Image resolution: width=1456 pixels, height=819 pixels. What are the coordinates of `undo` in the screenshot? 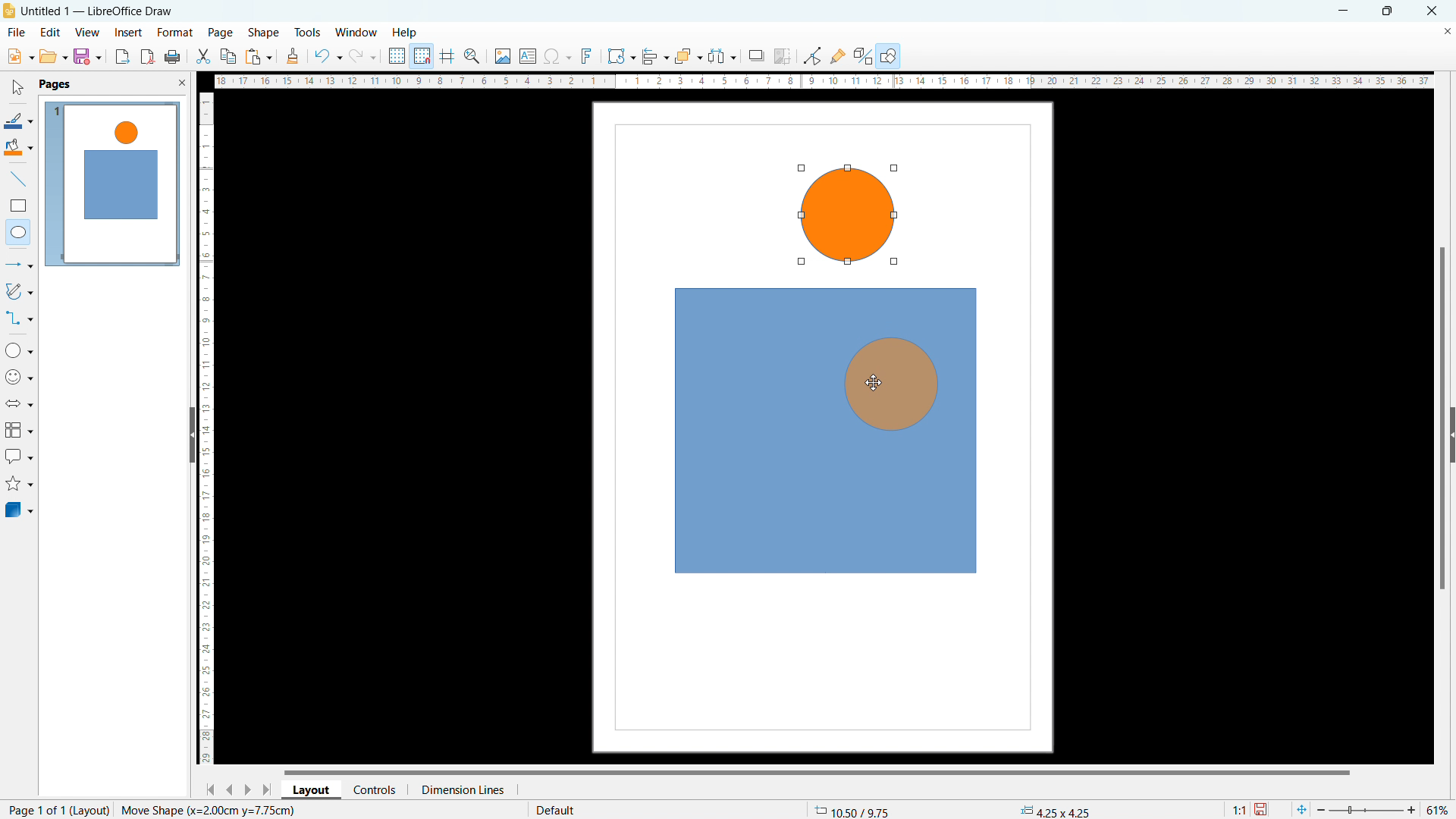 It's located at (327, 56).